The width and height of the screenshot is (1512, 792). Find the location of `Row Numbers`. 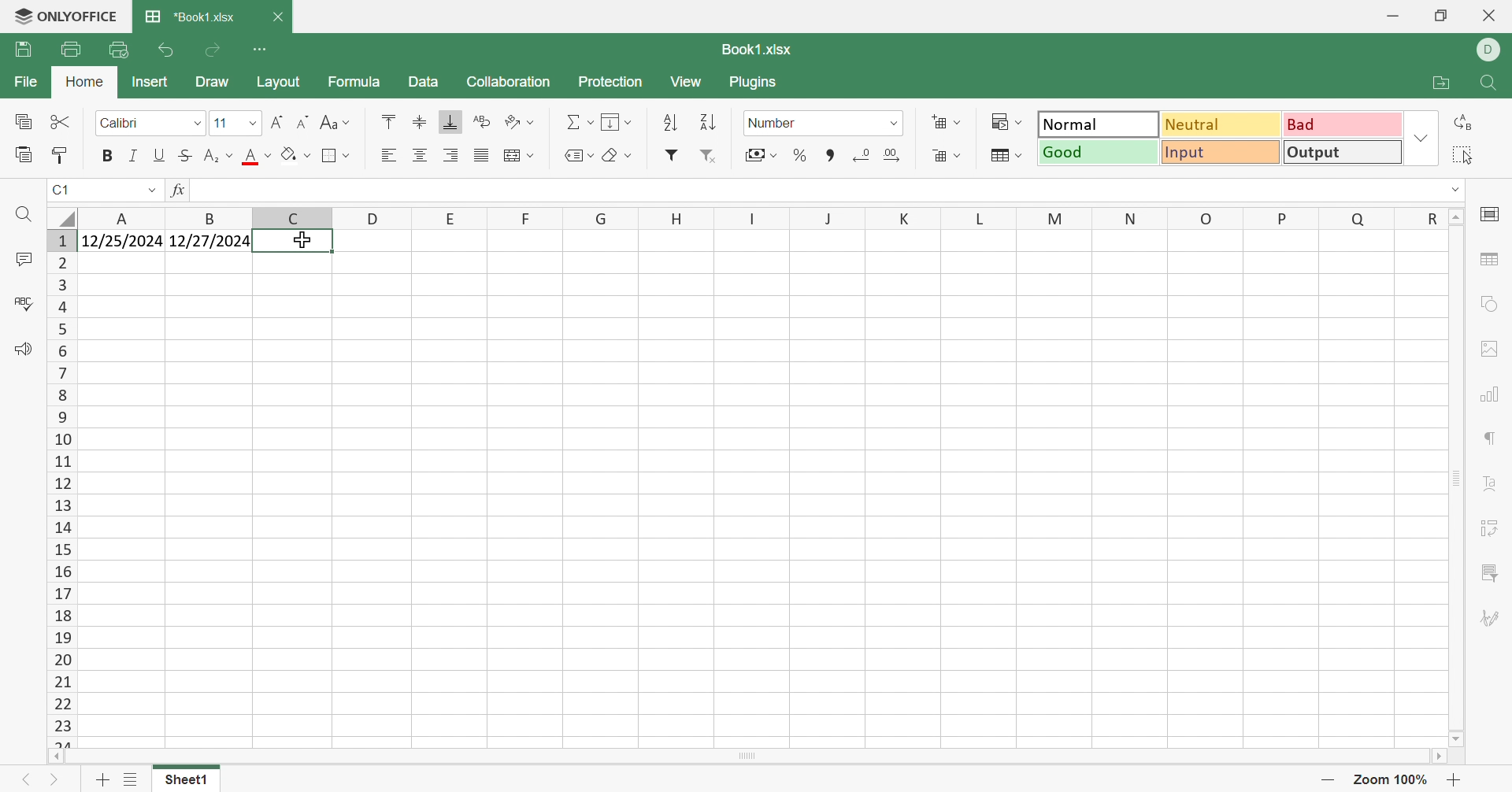

Row Numbers is located at coordinates (59, 491).